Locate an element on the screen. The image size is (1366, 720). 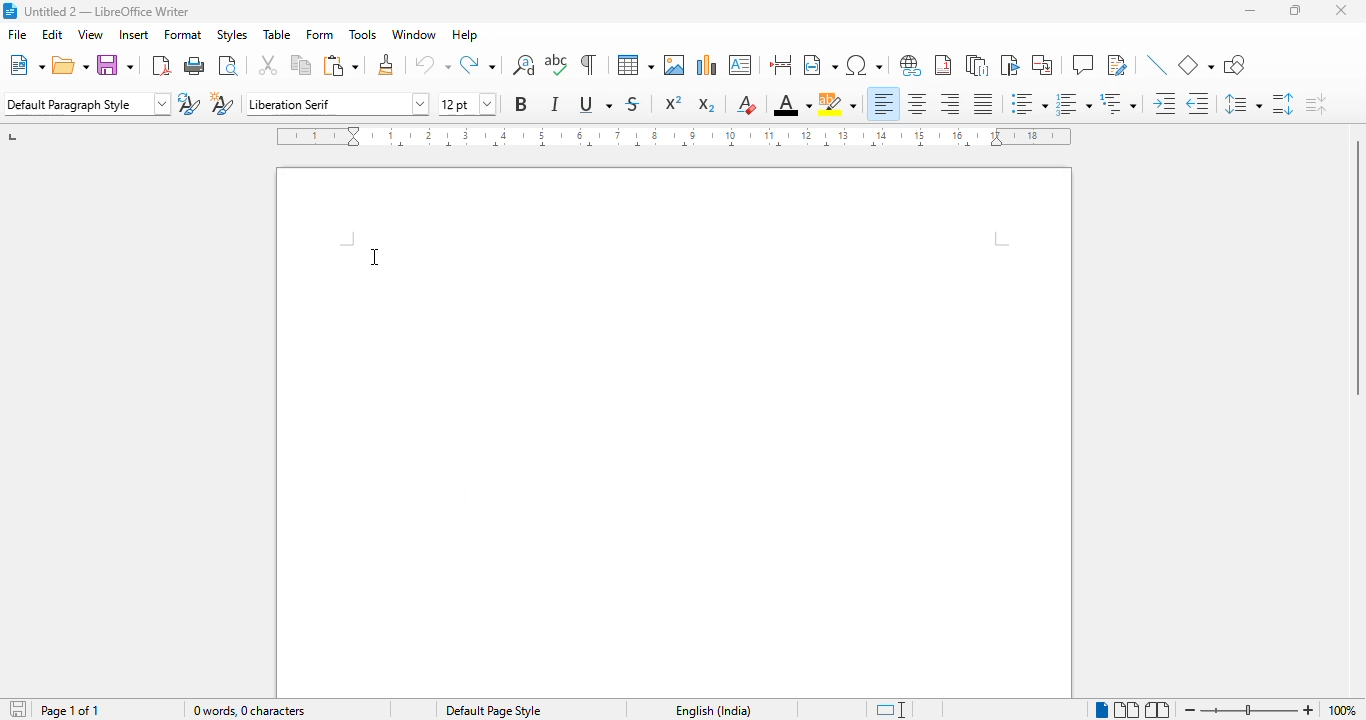
insert field is located at coordinates (820, 63).